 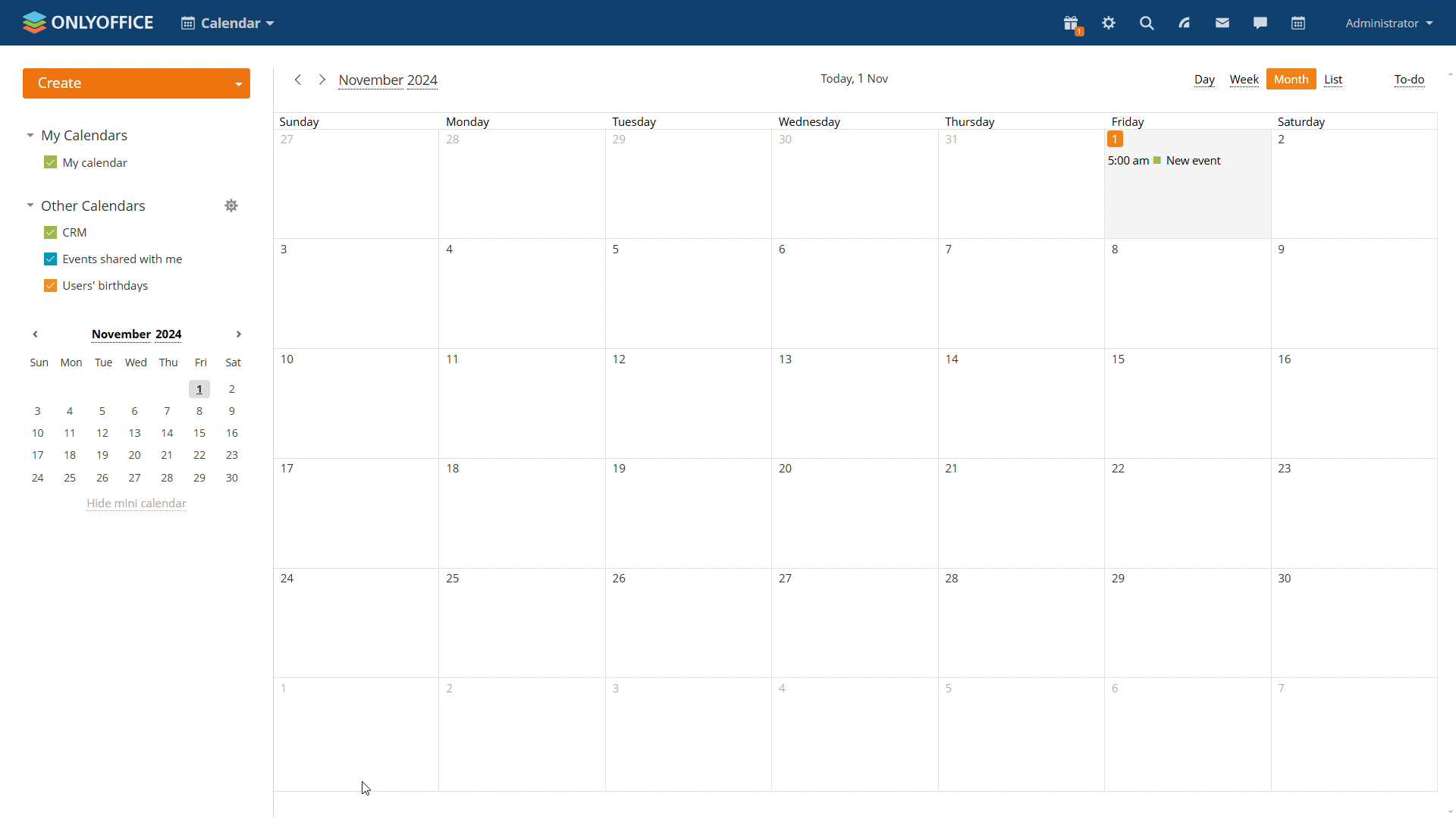 What do you see at coordinates (1291, 78) in the screenshot?
I see `month view` at bounding box center [1291, 78].